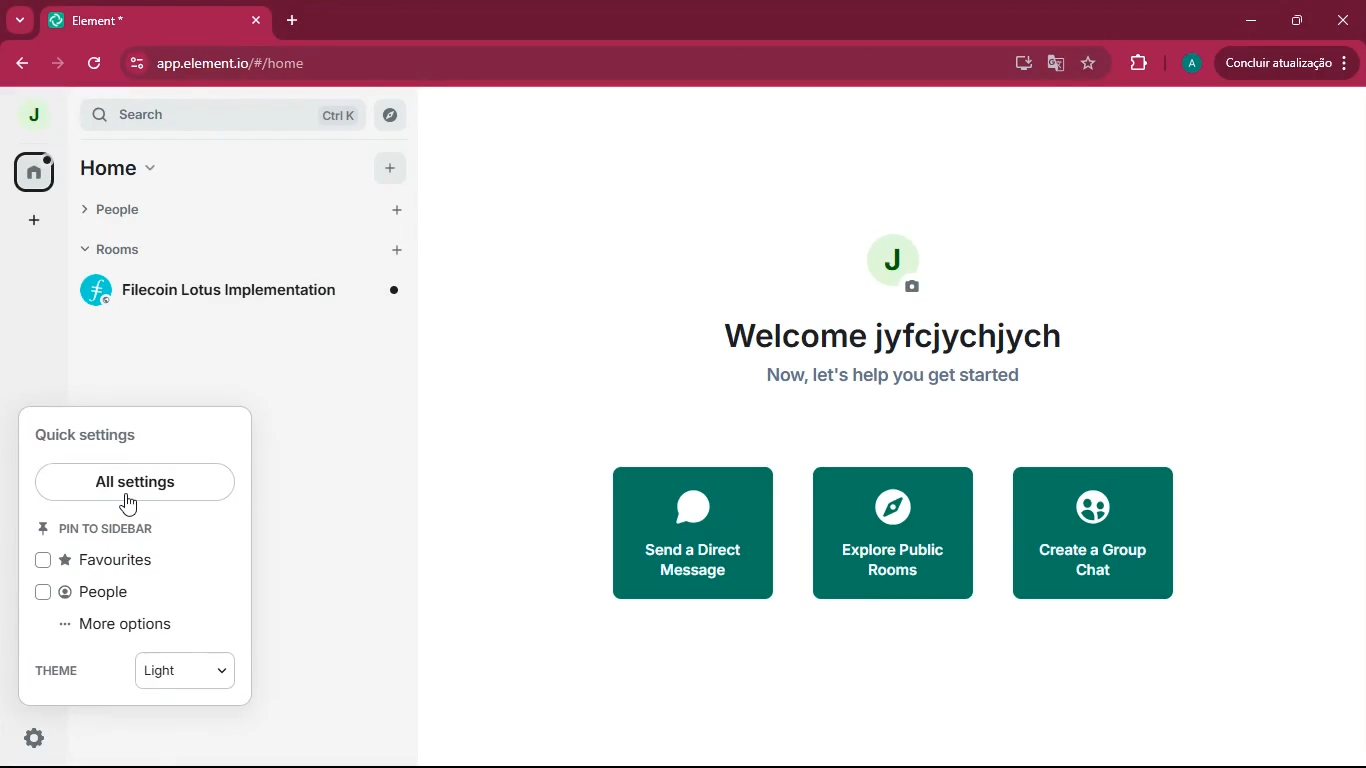 The height and width of the screenshot is (768, 1366). I want to click on extensions, so click(1132, 64).